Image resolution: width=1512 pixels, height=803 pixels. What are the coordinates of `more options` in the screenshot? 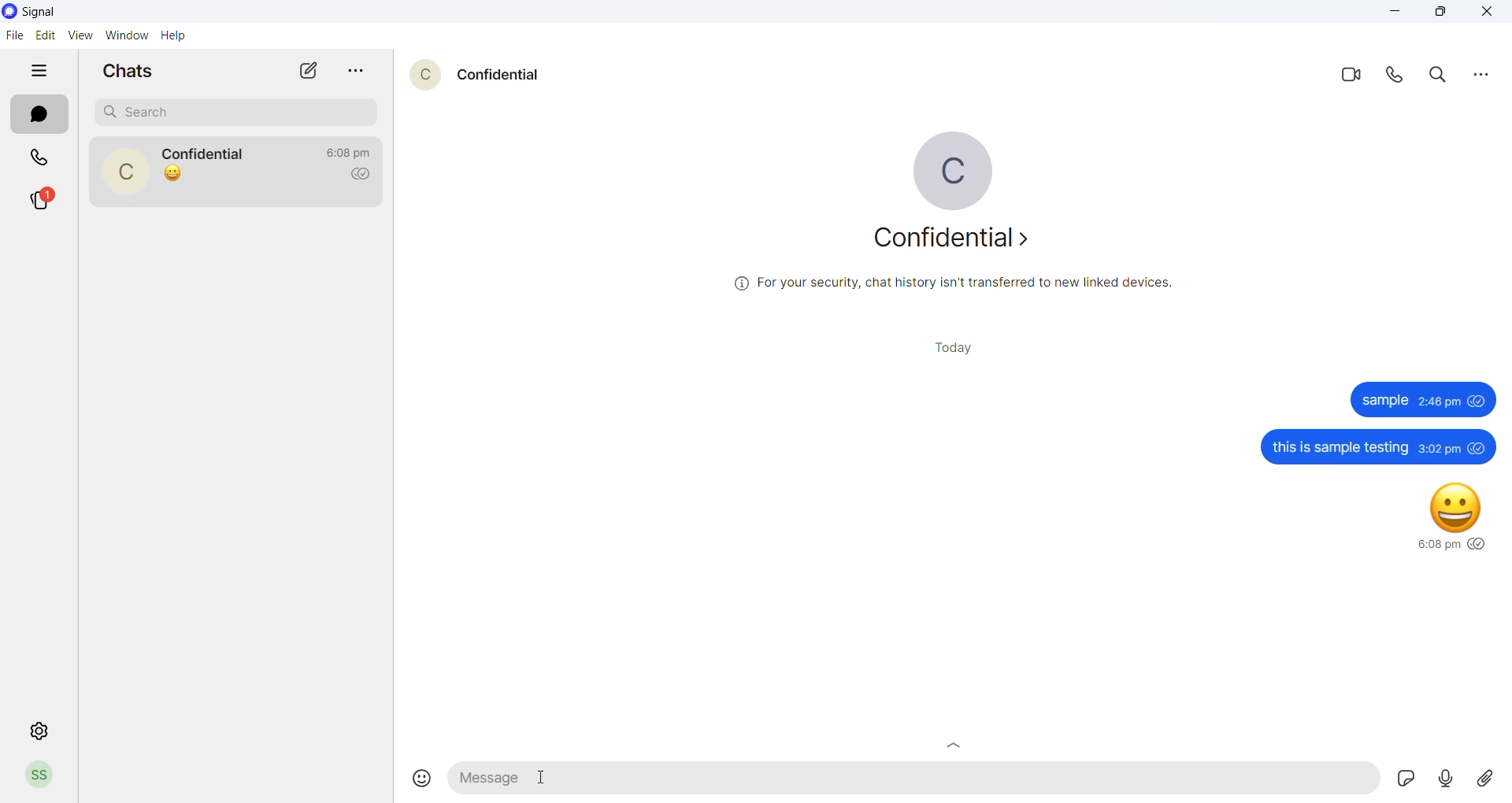 It's located at (362, 72).